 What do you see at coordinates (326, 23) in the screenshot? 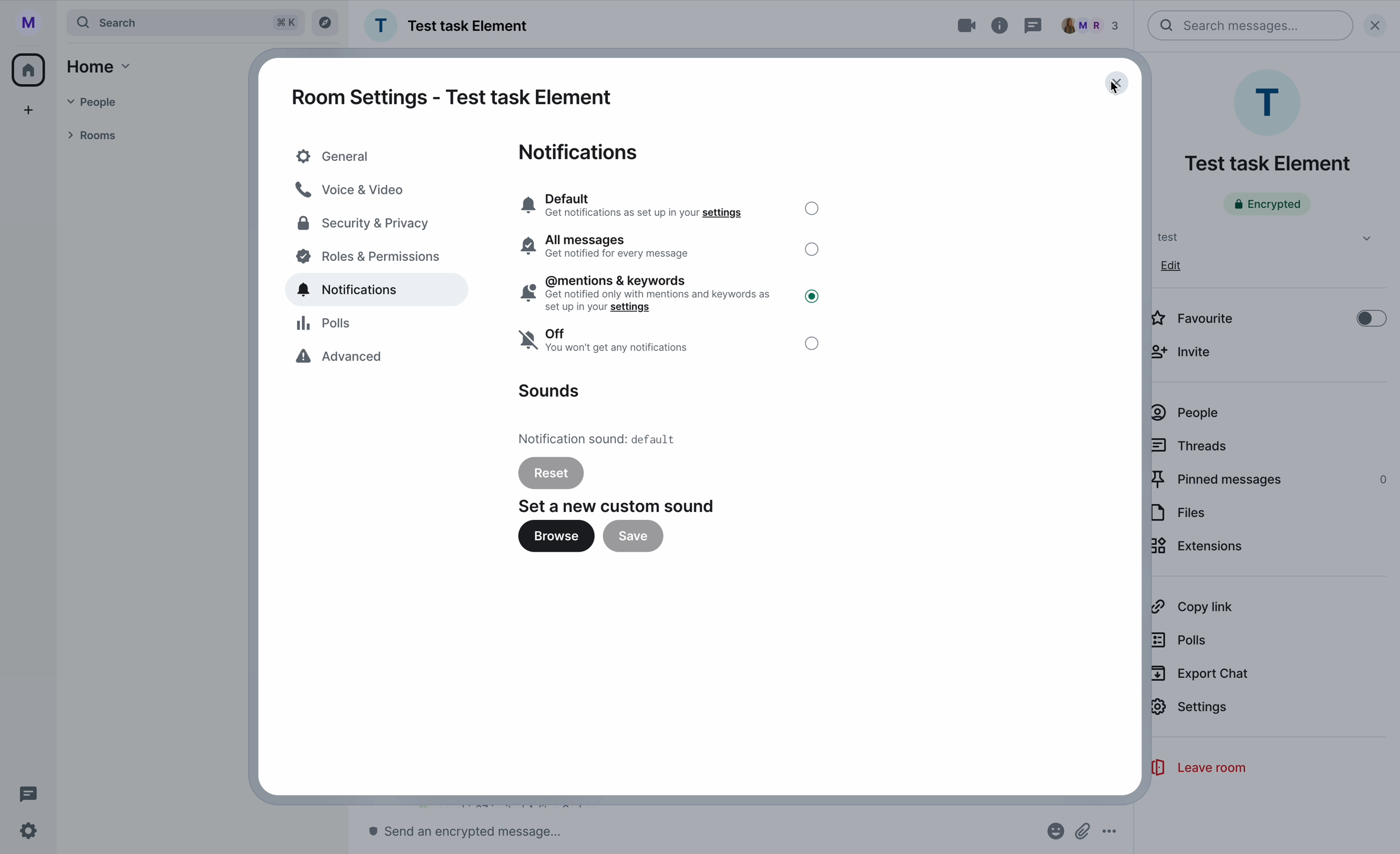
I see `explore` at bounding box center [326, 23].